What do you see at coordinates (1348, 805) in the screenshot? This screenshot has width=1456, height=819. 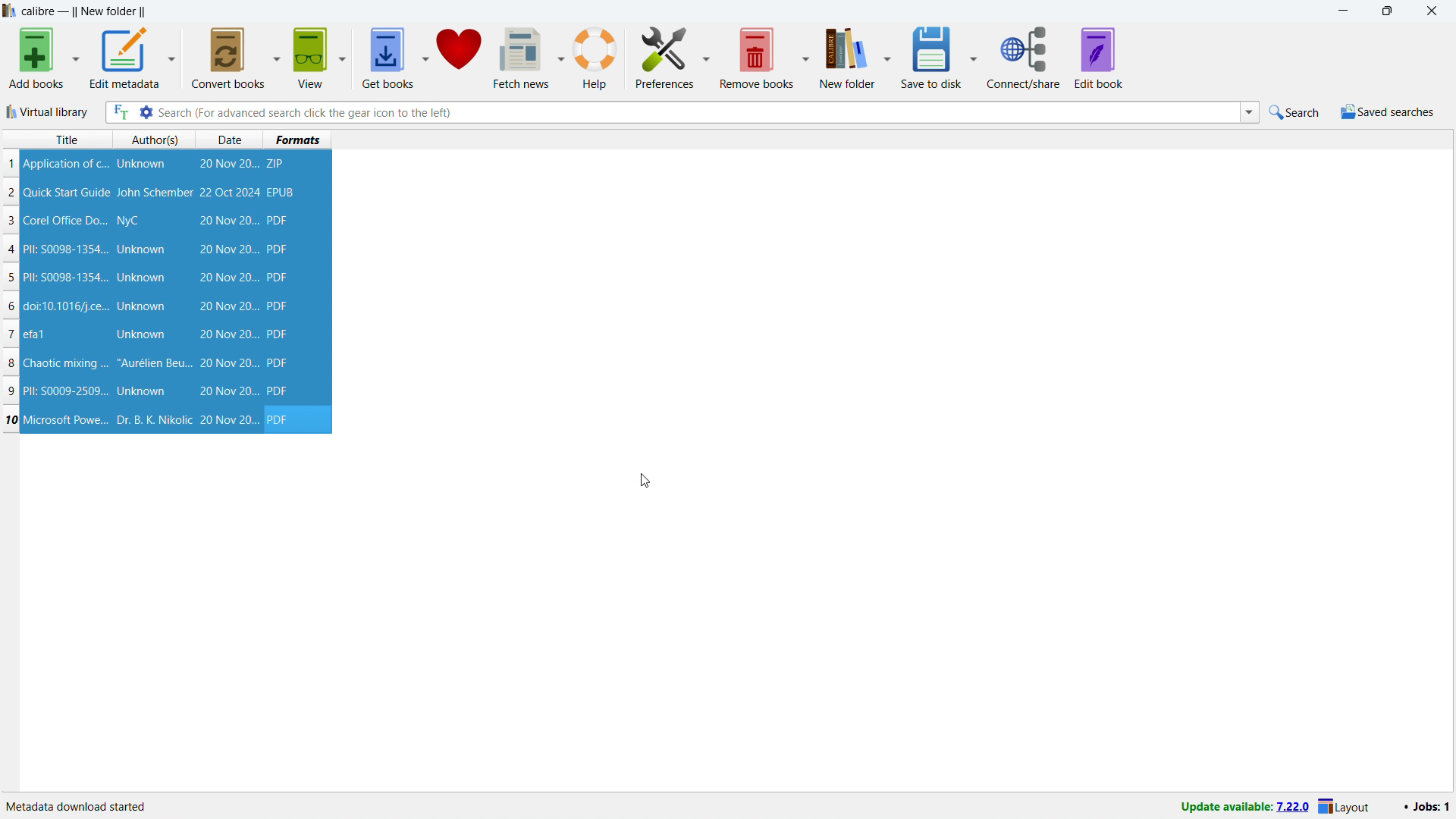 I see `layout` at bounding box center [1348, 805].